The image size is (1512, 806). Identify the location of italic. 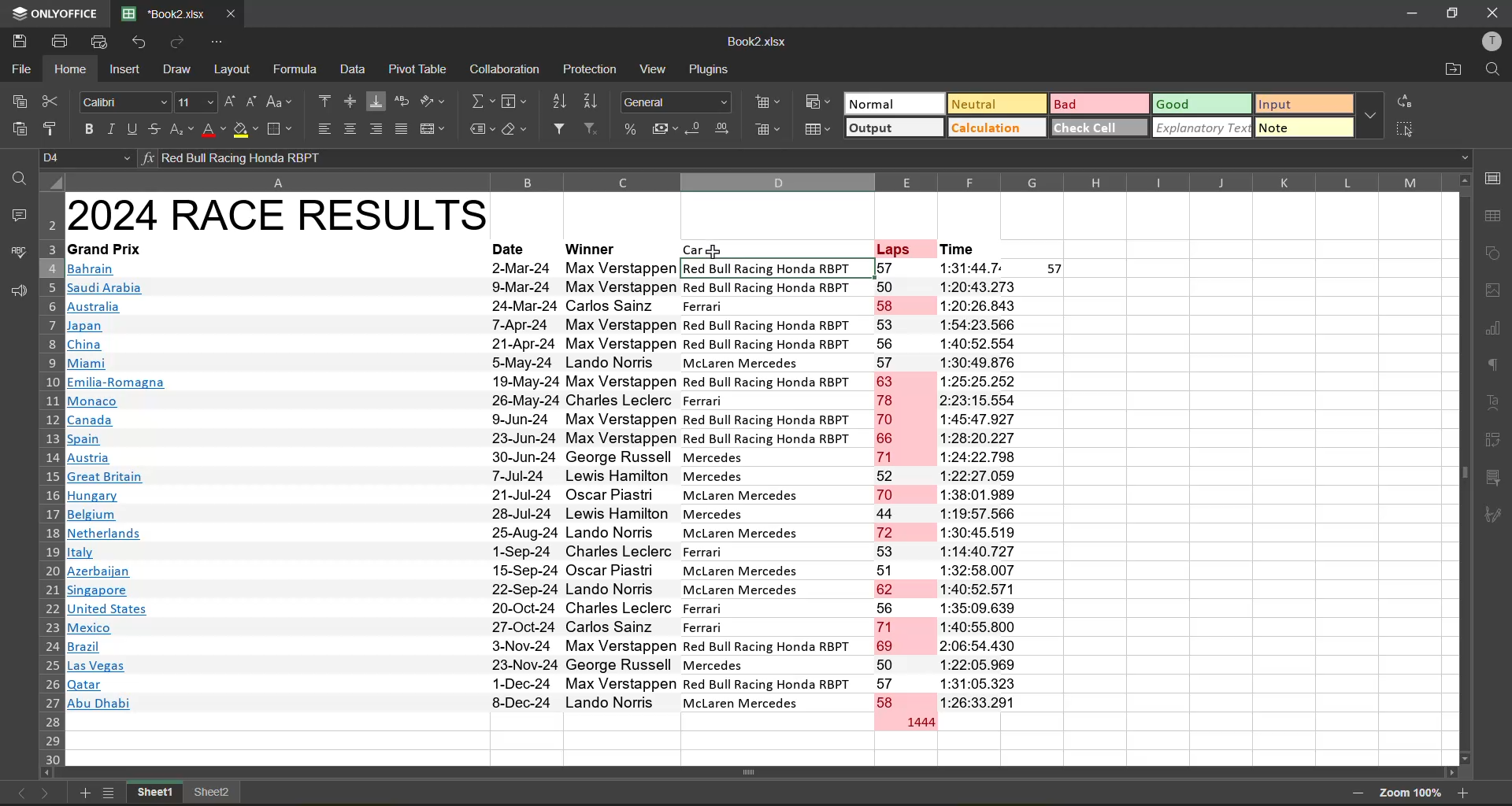
(109, 129).